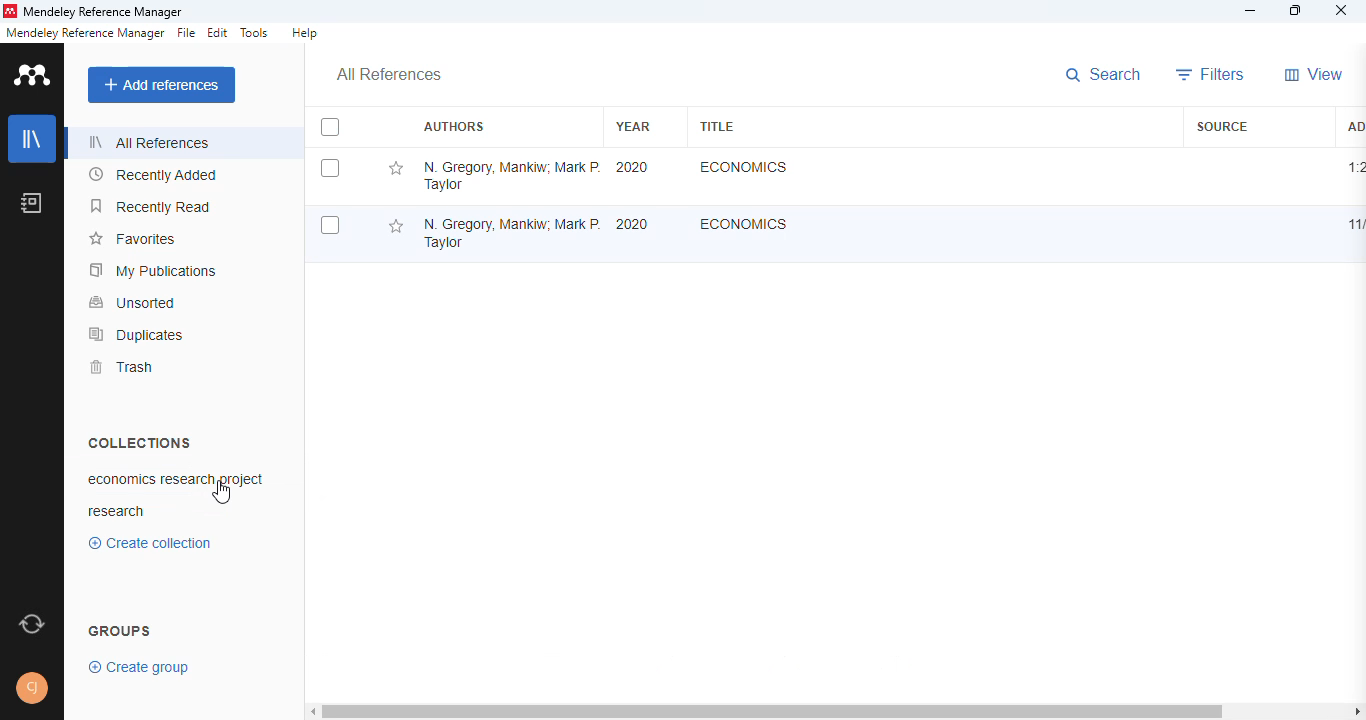  Describe the element at coordinates (32, 625) in the screenshot. I see `sync` at that location.